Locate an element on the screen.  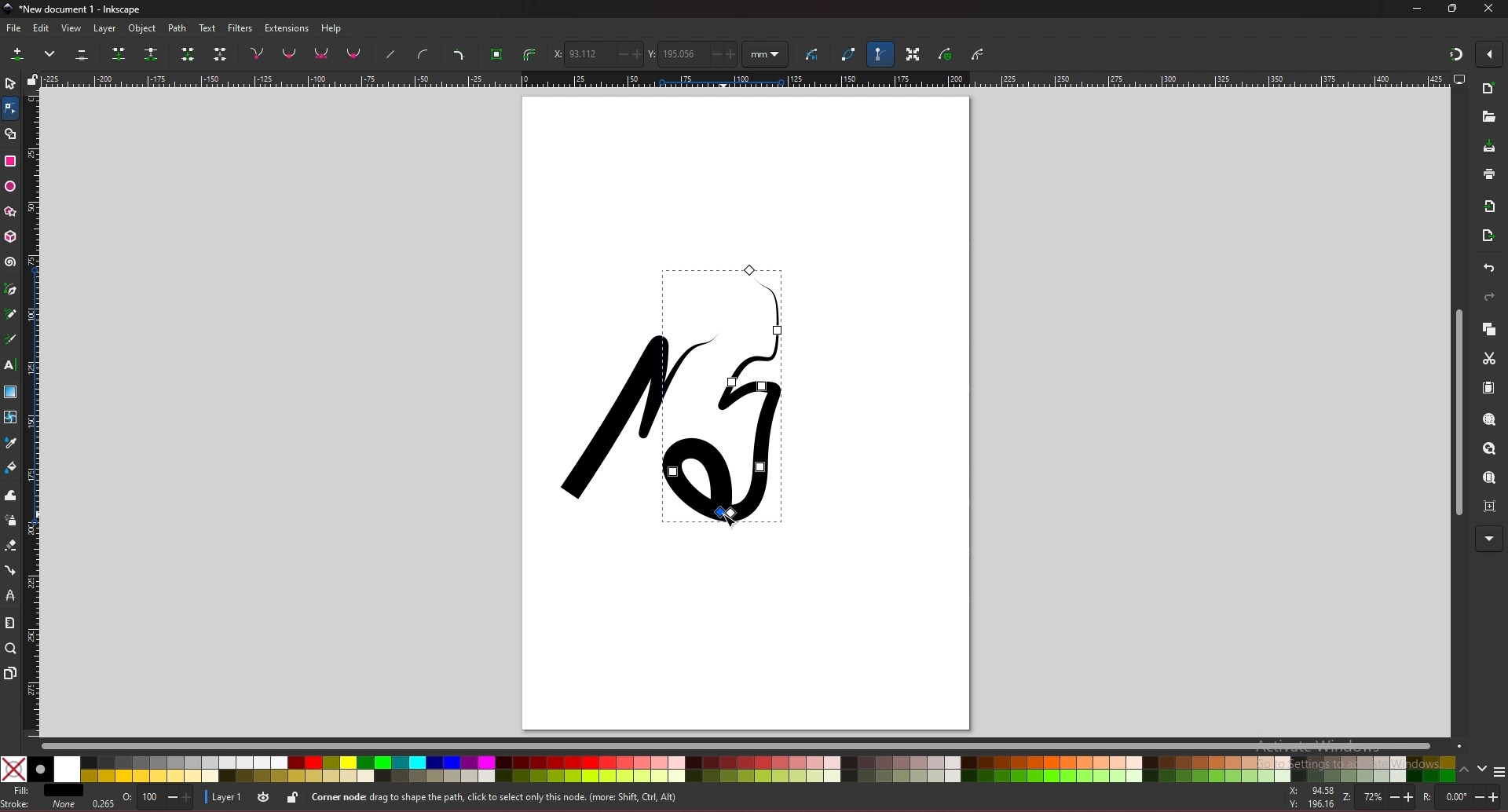
0.265 is located at coordinates (104, 802).